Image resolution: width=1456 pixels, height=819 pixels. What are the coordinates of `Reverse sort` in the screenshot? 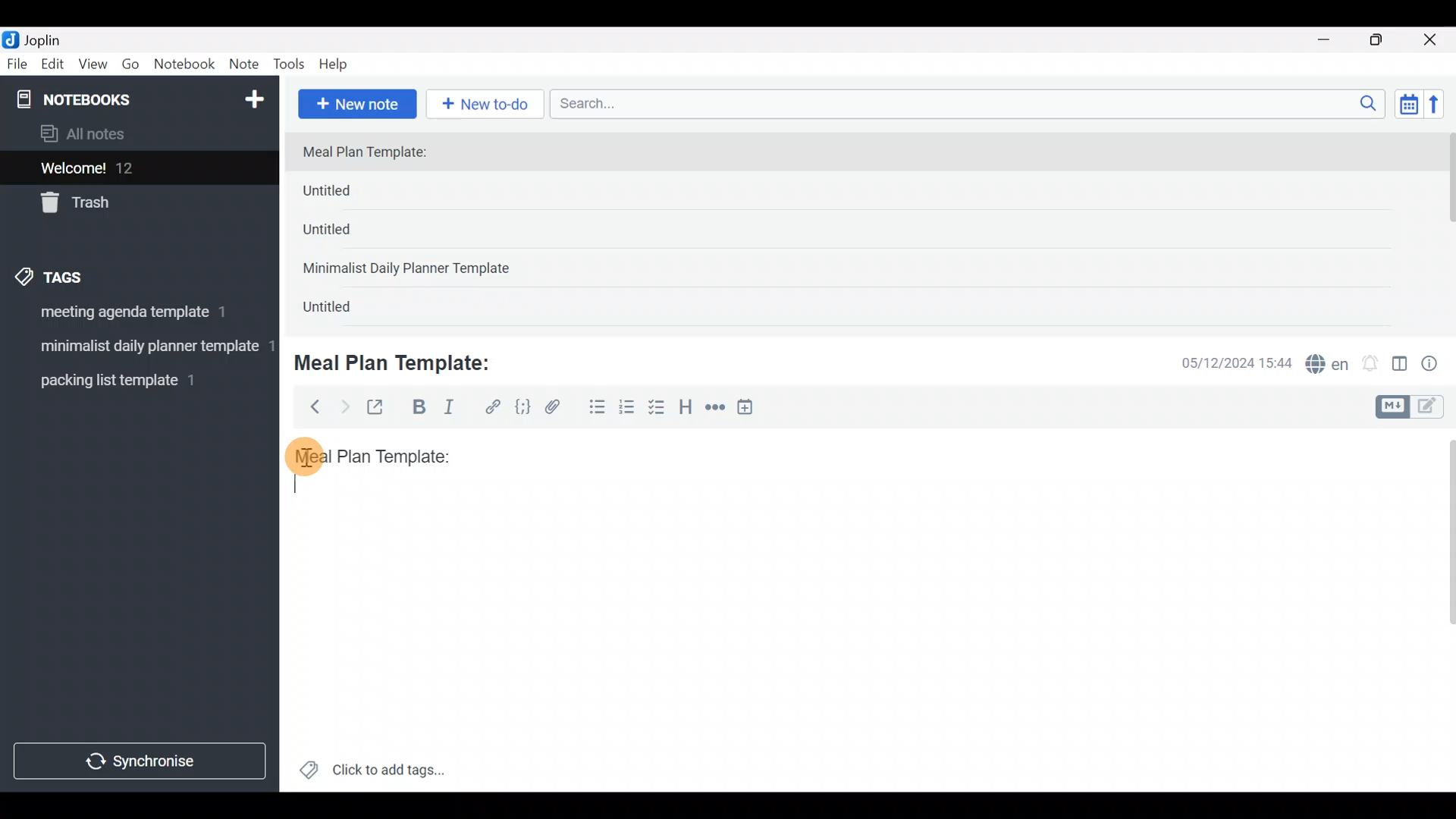 It's located at (1442, 108).